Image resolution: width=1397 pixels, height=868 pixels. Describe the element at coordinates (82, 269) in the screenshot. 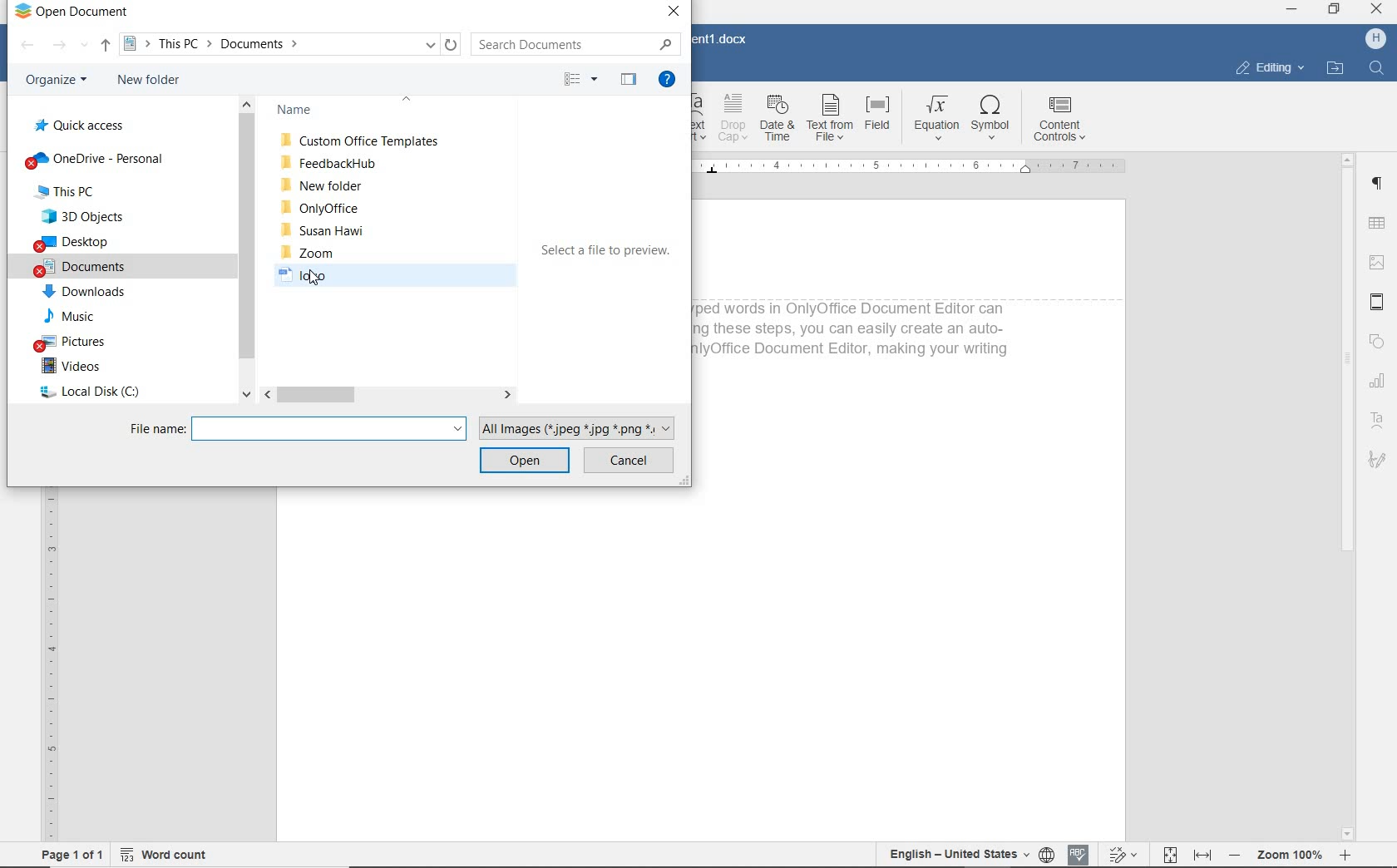

I see `DOCUMENTS` at that location.